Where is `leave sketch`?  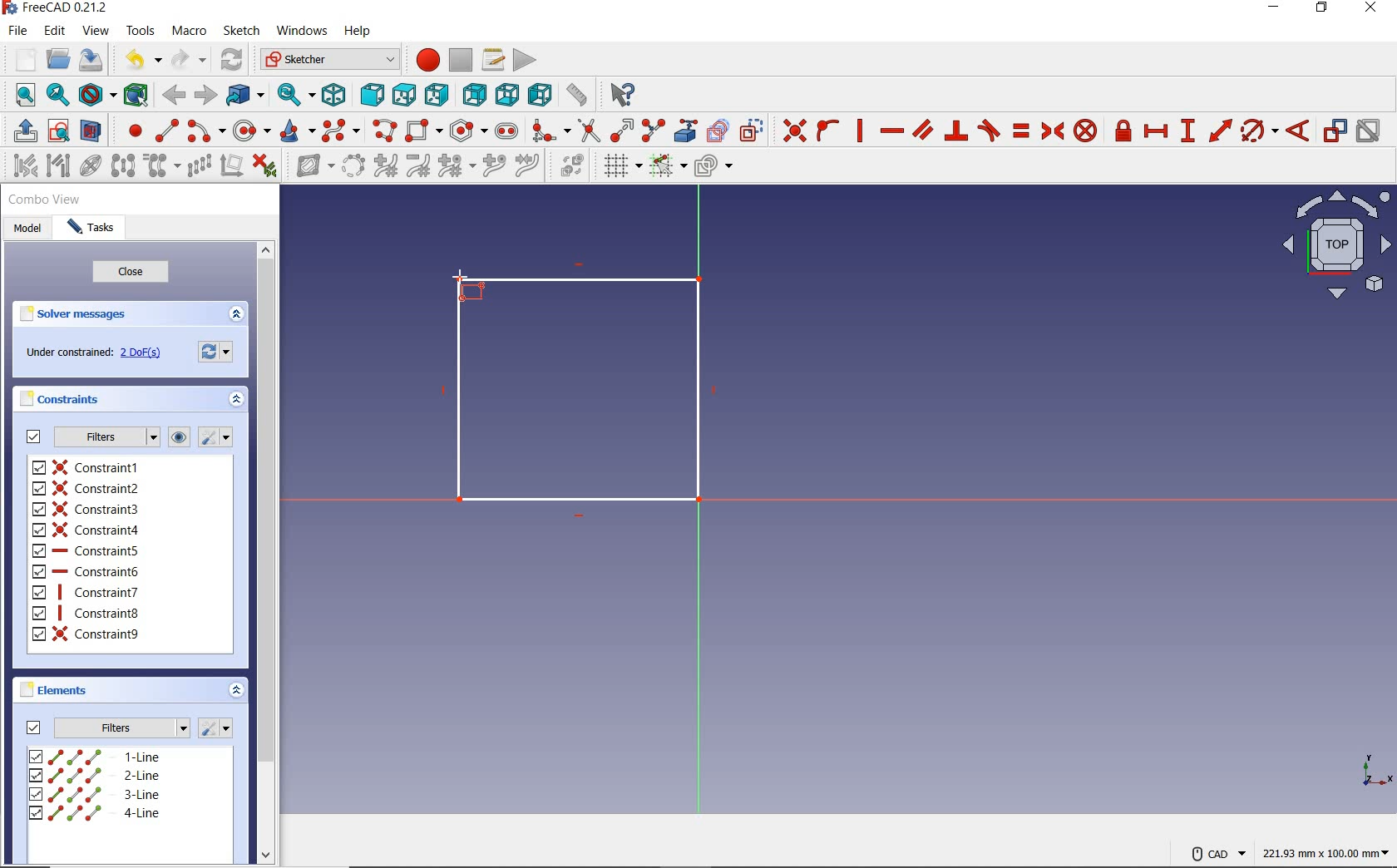
leave sketch is located at coordinates (21, 131).